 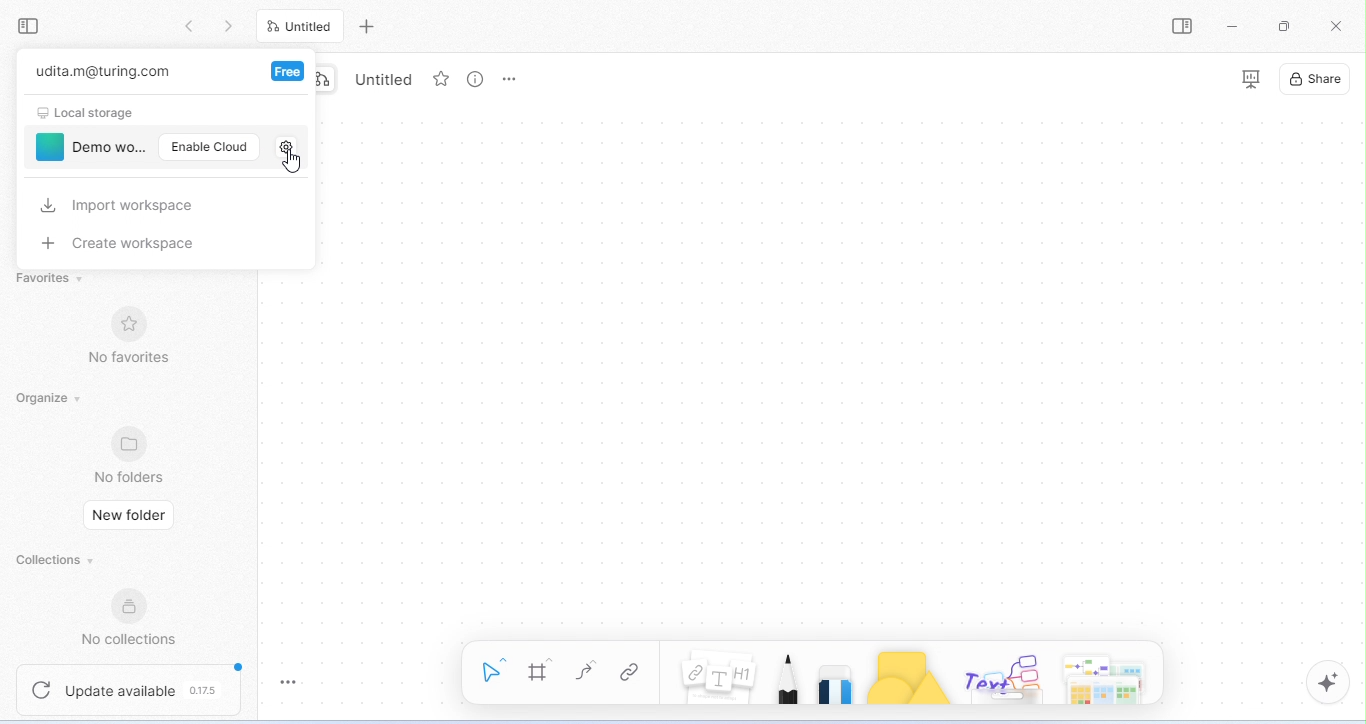 I want to click on local storage, so click(x=83, y=113).